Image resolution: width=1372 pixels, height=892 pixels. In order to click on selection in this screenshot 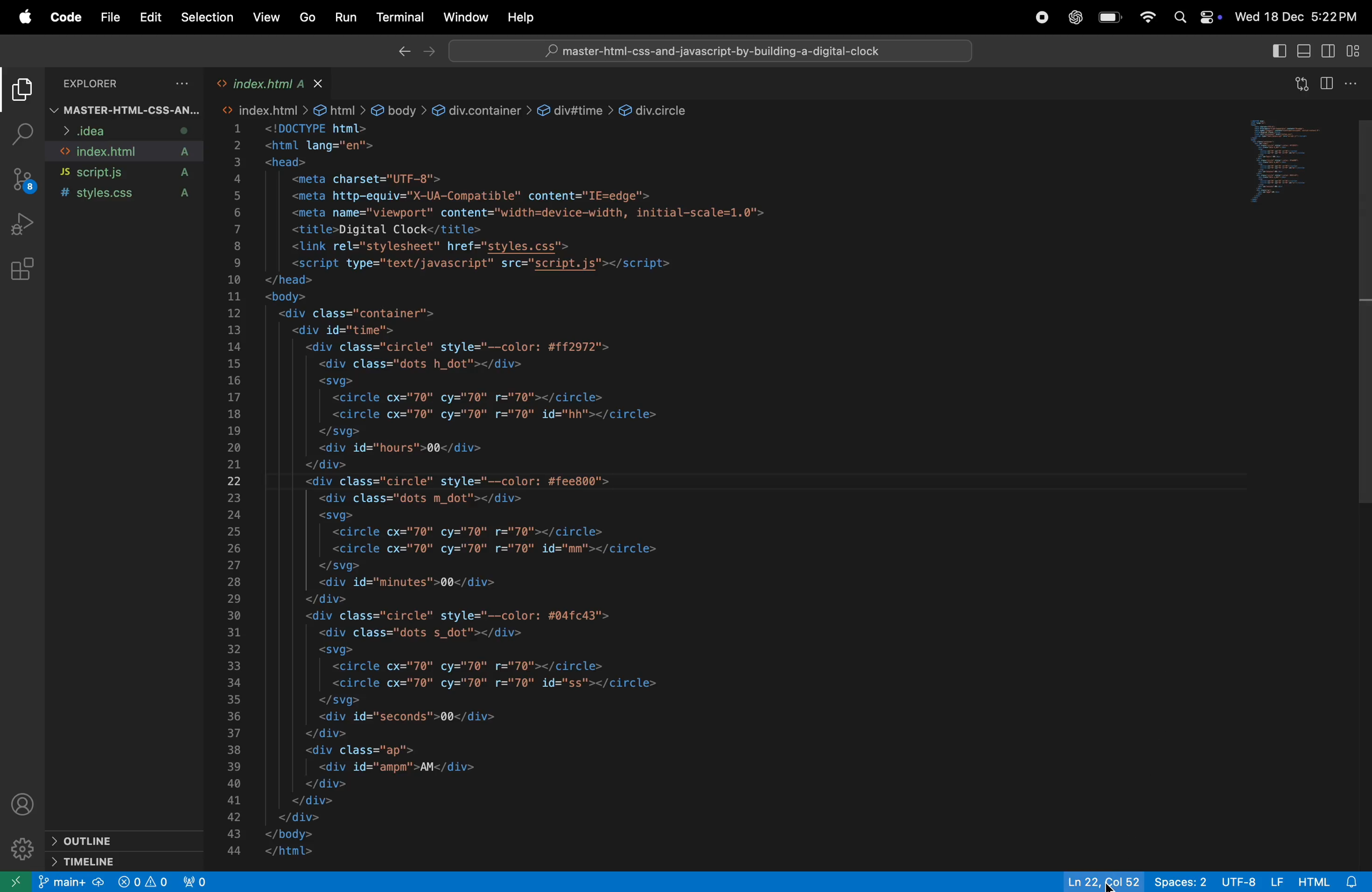, I will do `click(207, 17)`.